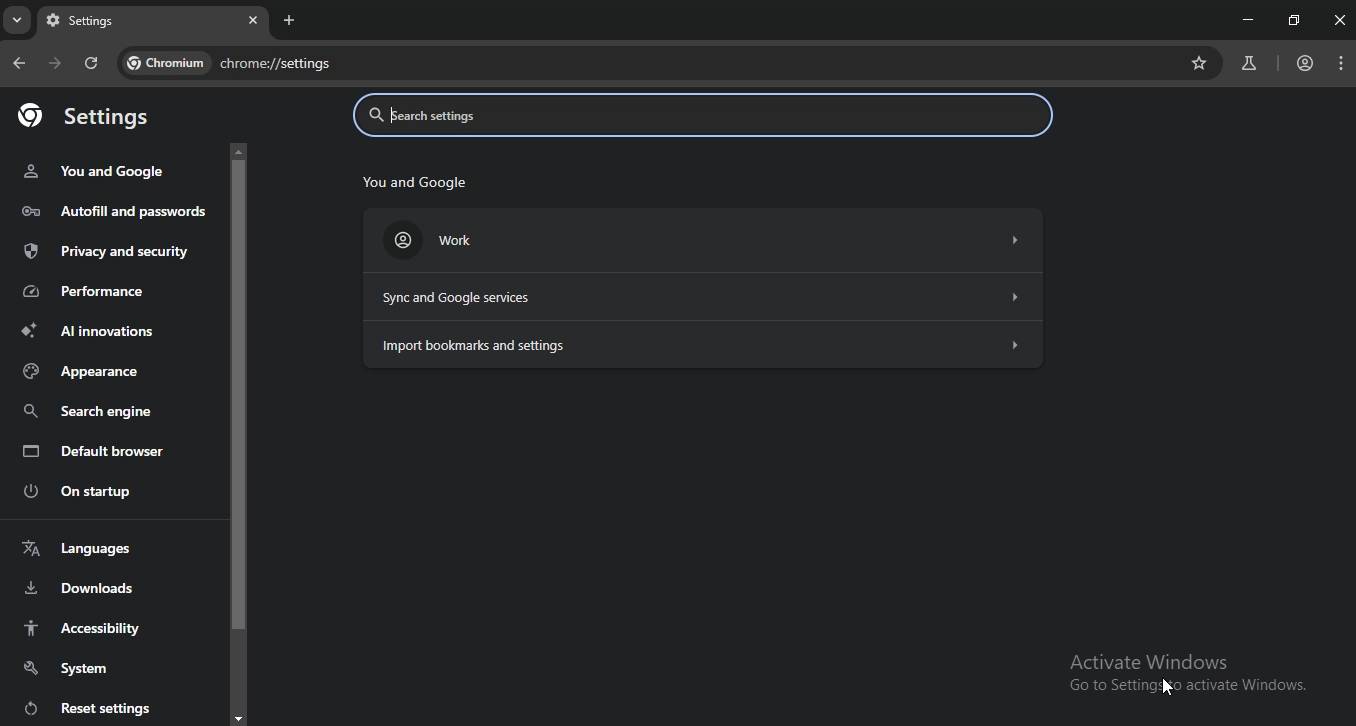  Describe the element at coordinates (114, 23) in the screenshot. I see `settings` at that location.